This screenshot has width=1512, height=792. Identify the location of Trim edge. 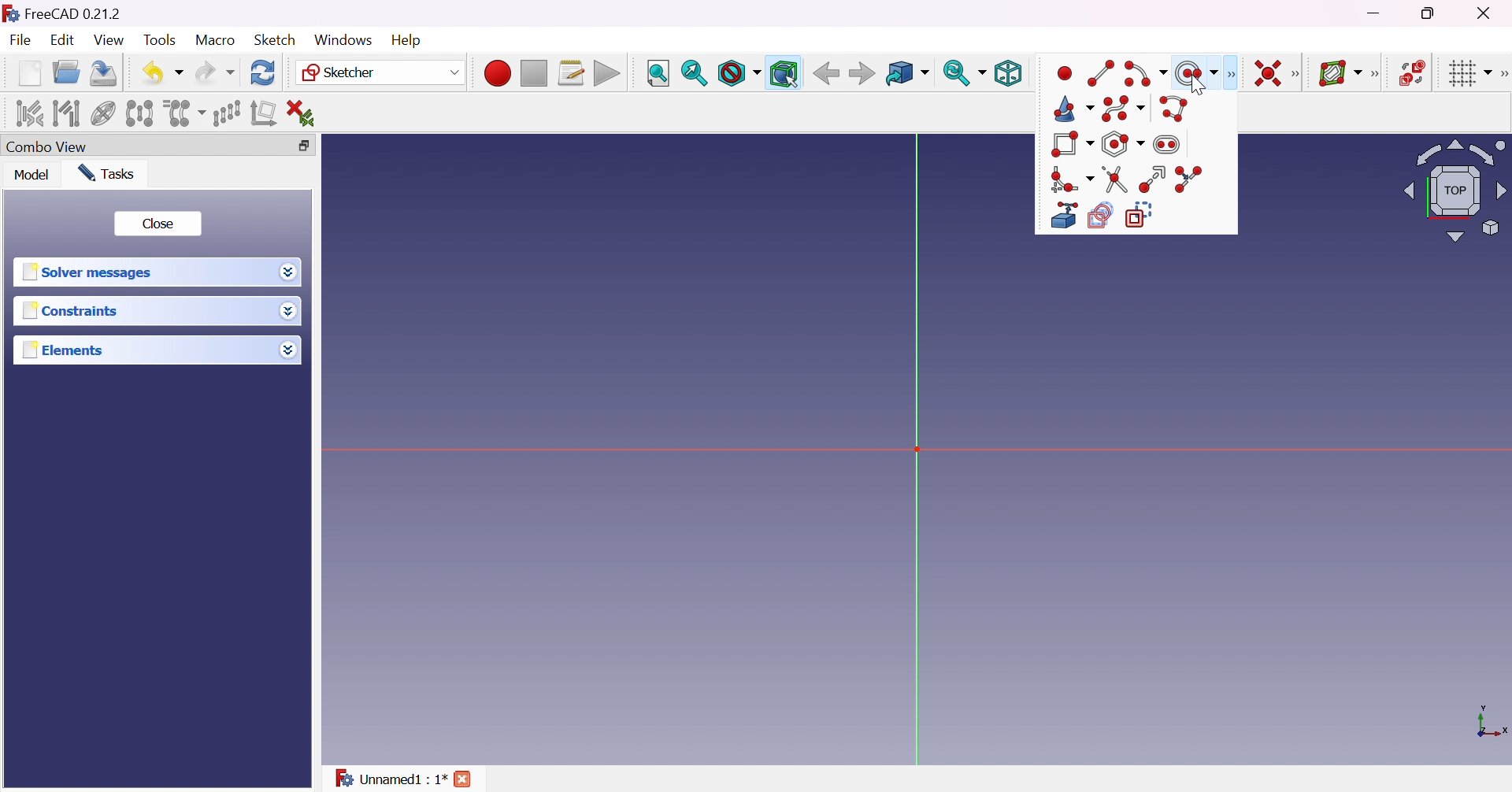
(1116, 180).